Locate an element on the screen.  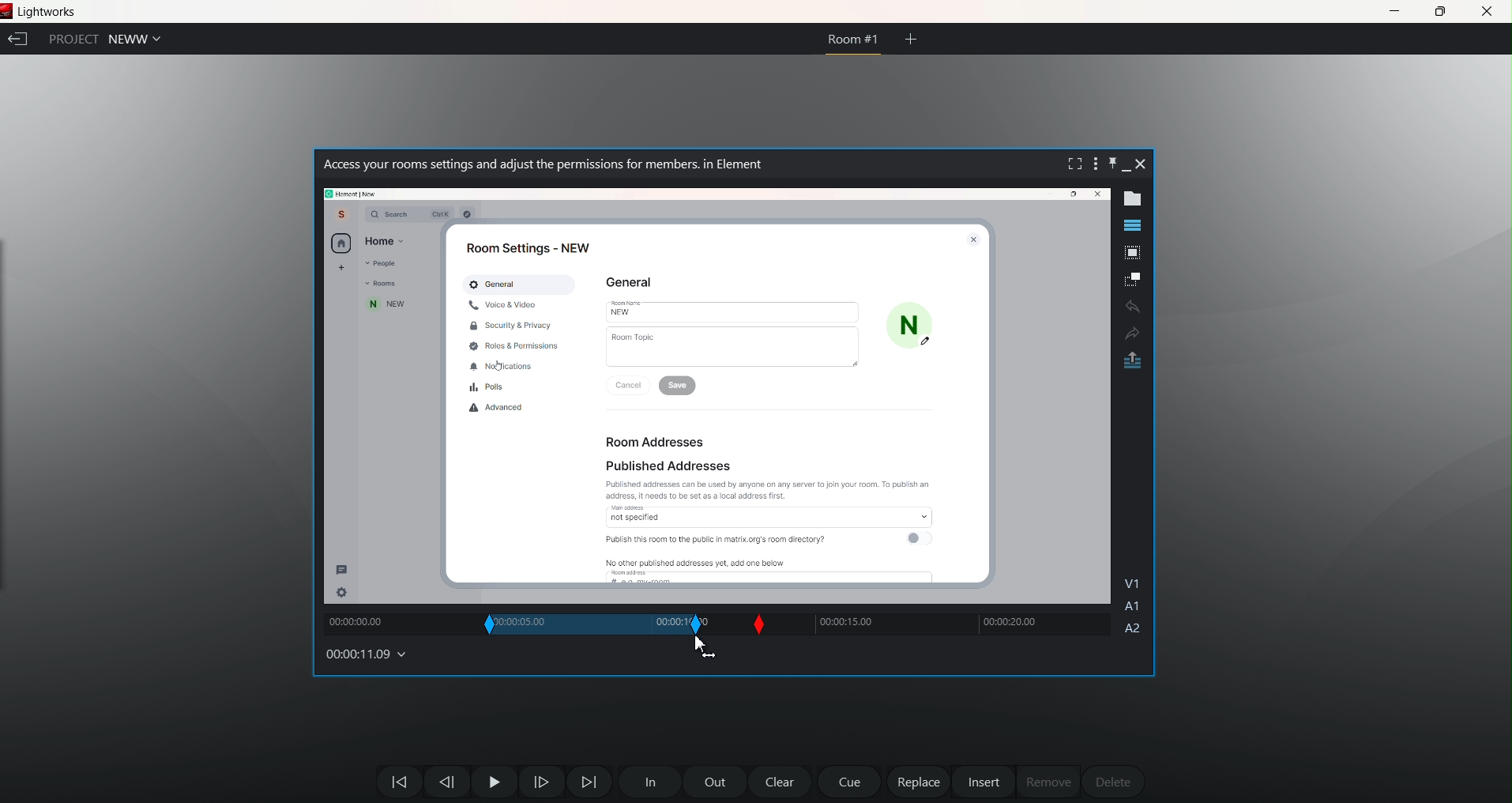
Advanced is located at coordinates (500, 407).